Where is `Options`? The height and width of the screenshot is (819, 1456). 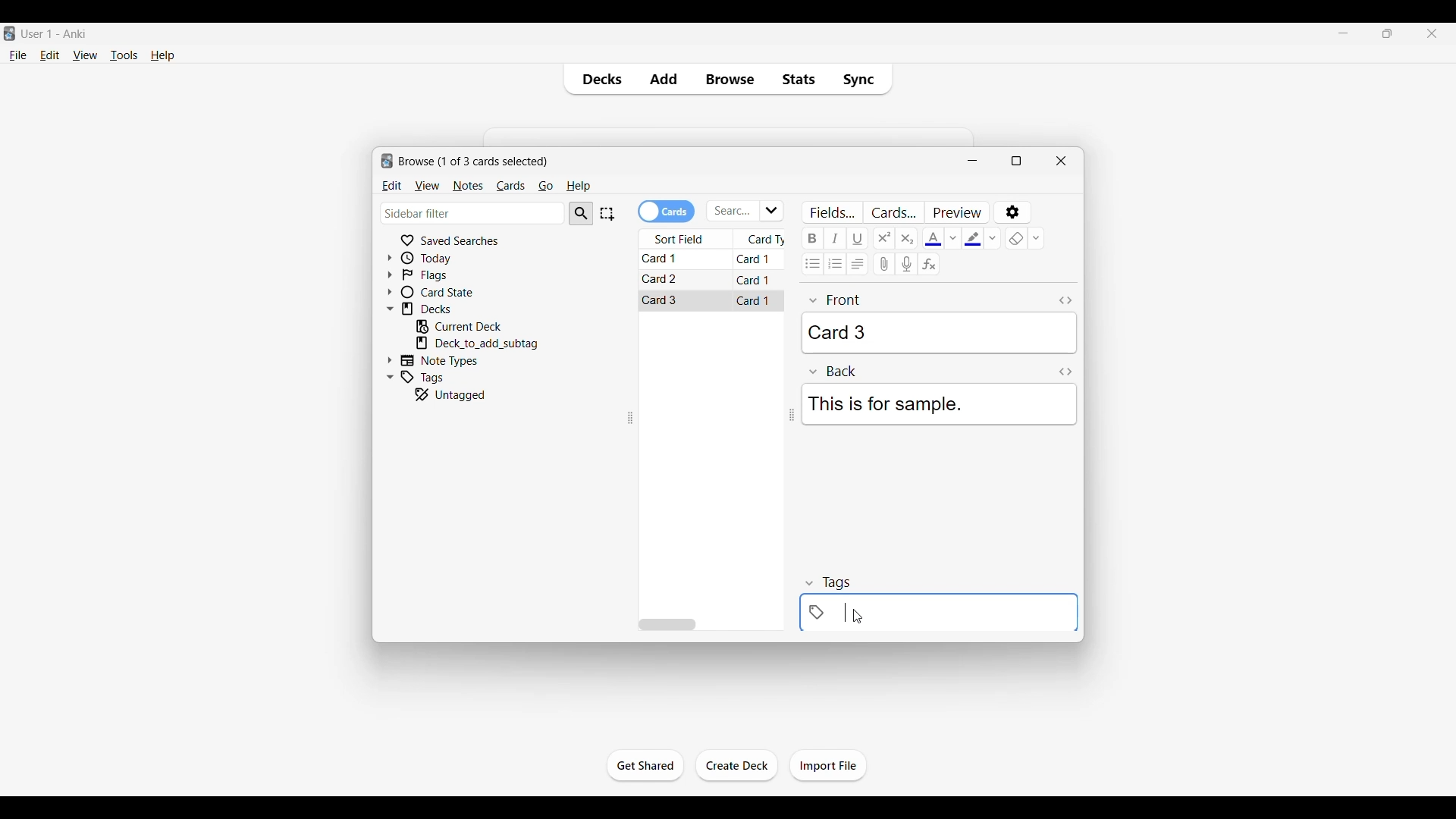 Options is located at coordinates (1014, 212).